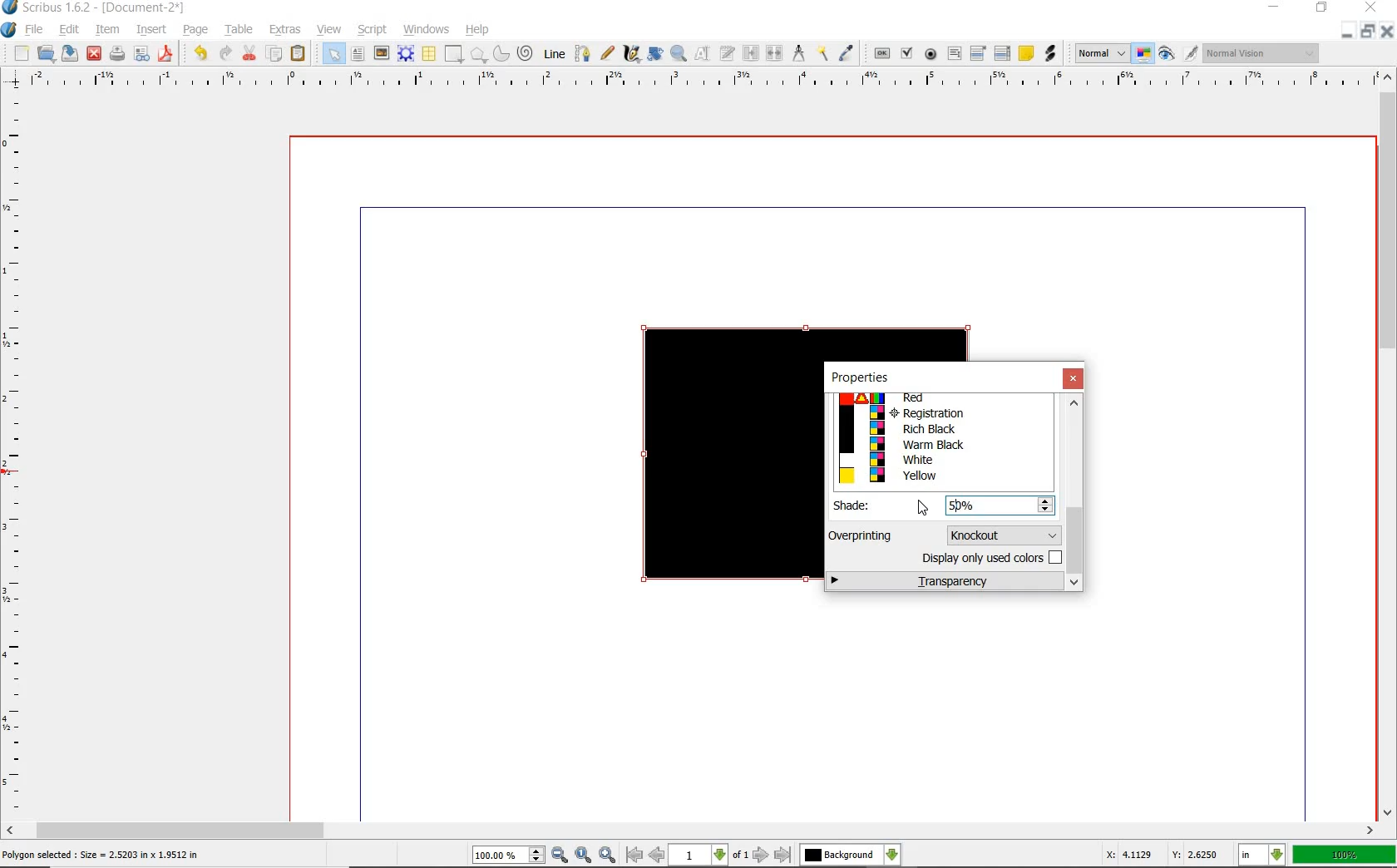 The image size is (1397, 868). Describe the element at coordinates (607, 853) in the screenshot. I see `zoom in` at that location.